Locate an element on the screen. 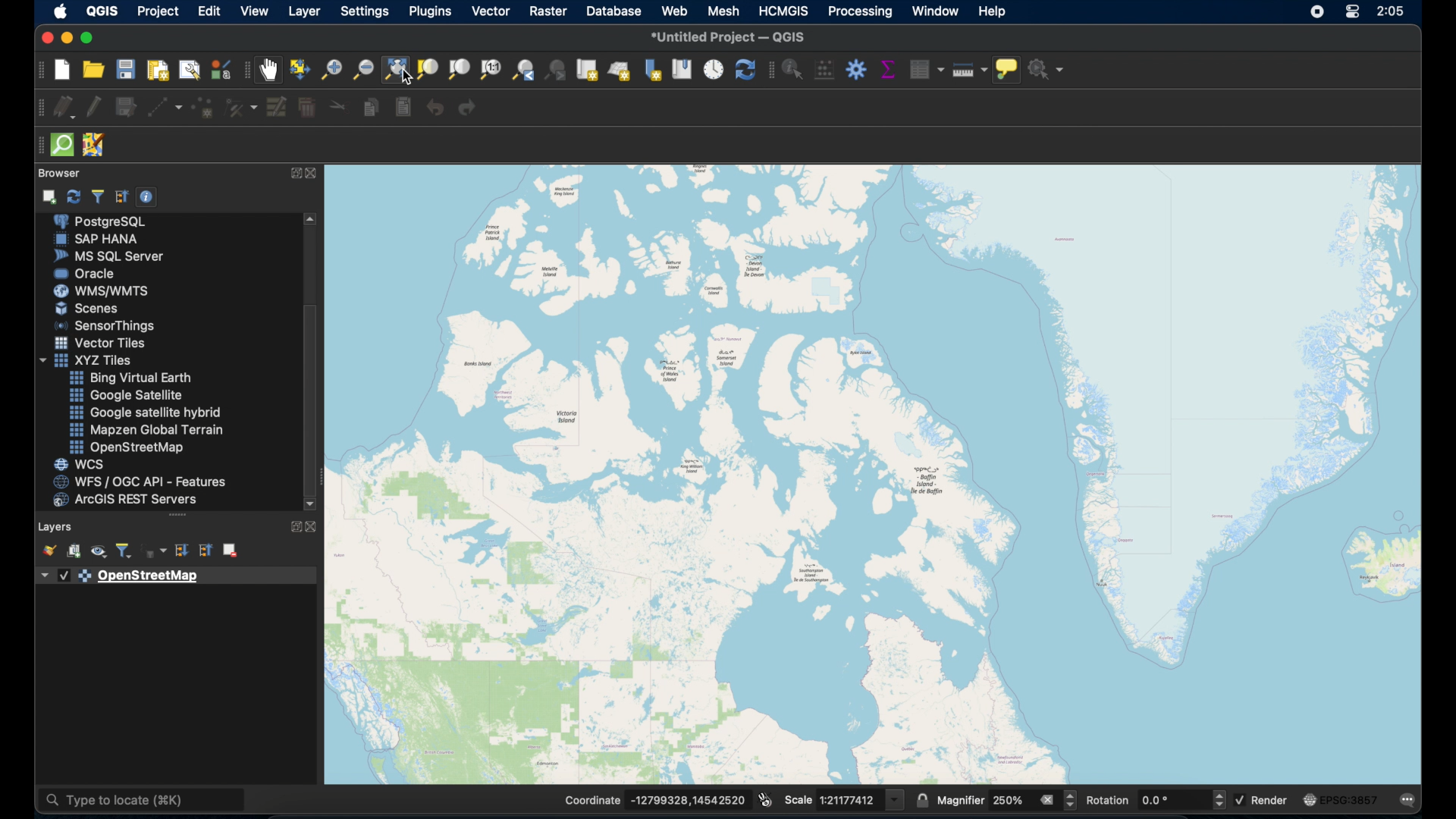 This screenshot has width=1456, height=819. scroll box is located at coordinates (313, 398).